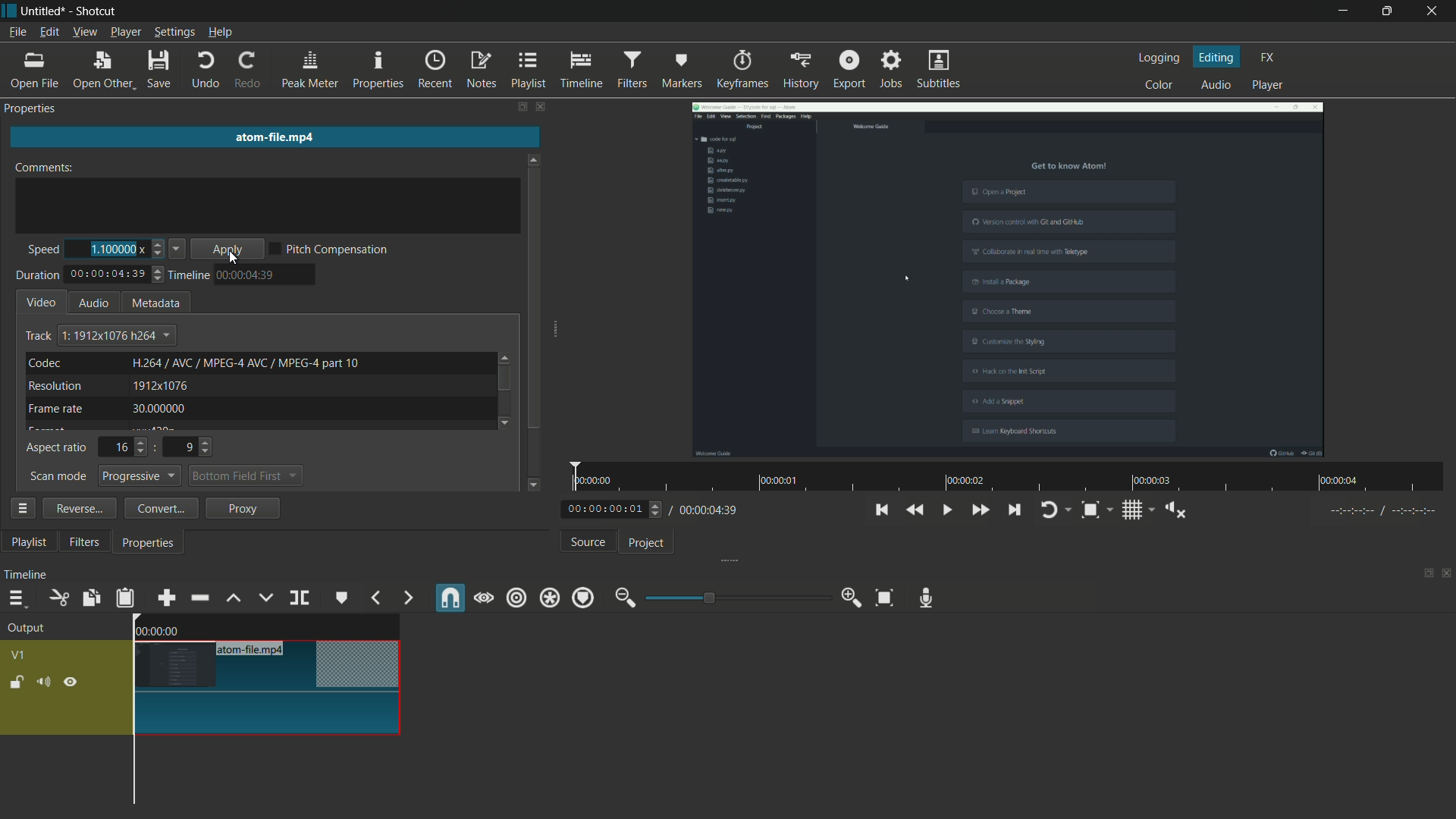 This screenshot has width=1456, height=819. What do you see at coordinates (265, 597) in the screenshot?
I see `overwrite` at bounding box center [265, 597].